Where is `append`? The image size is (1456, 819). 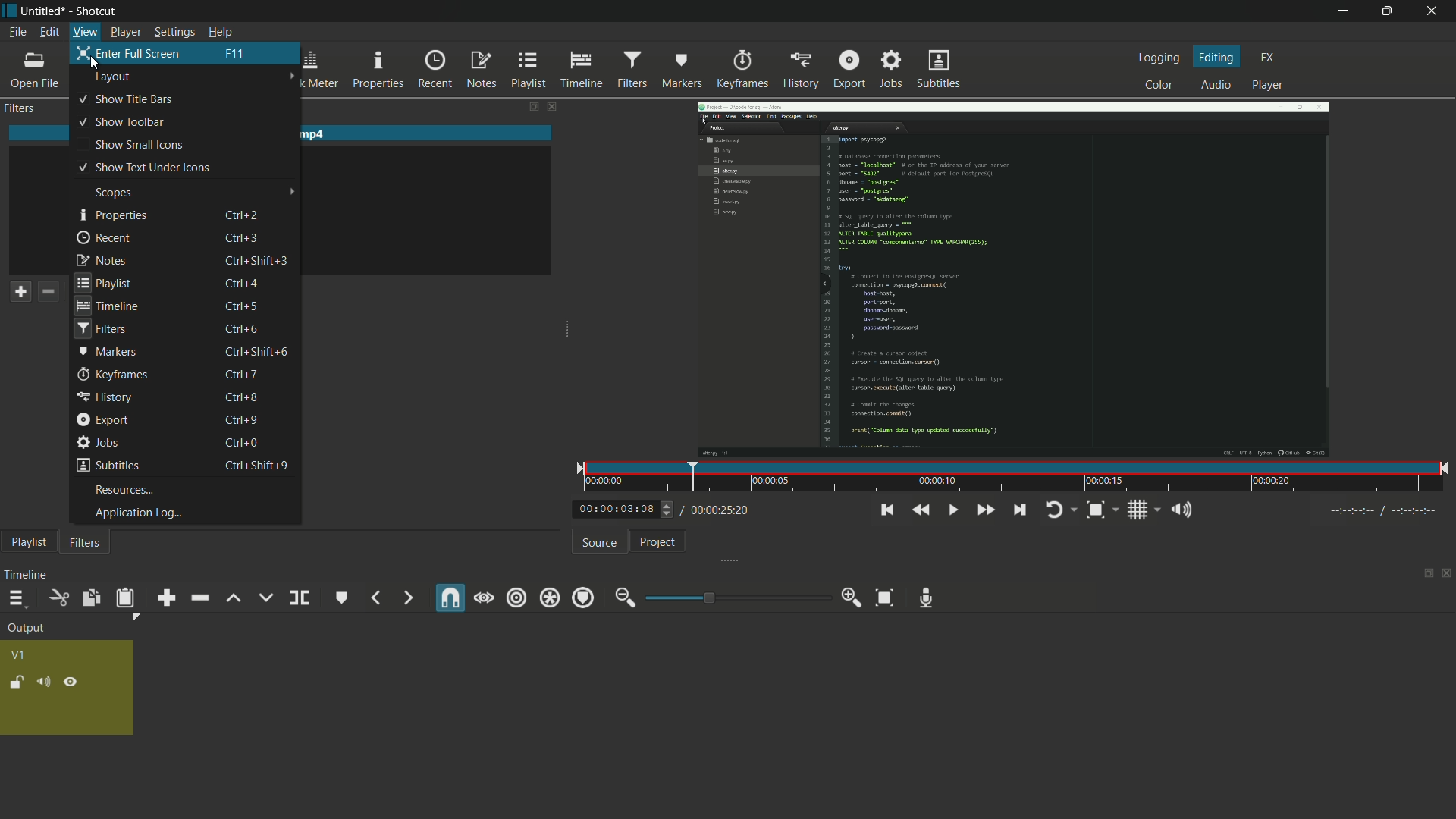 append is located at coordinates (168, 597).